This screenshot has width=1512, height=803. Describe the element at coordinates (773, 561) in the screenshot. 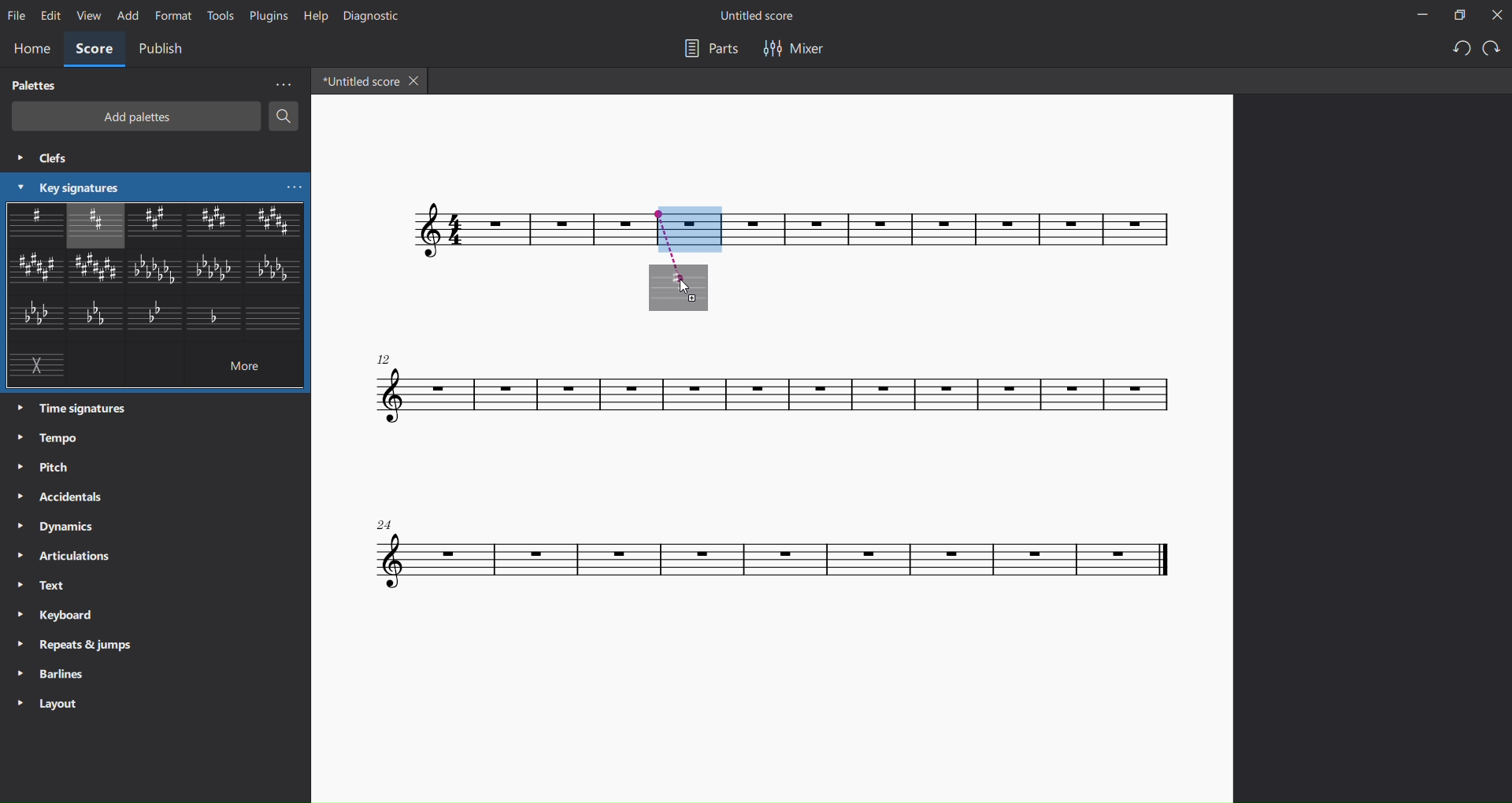

I see `concert` at that location.